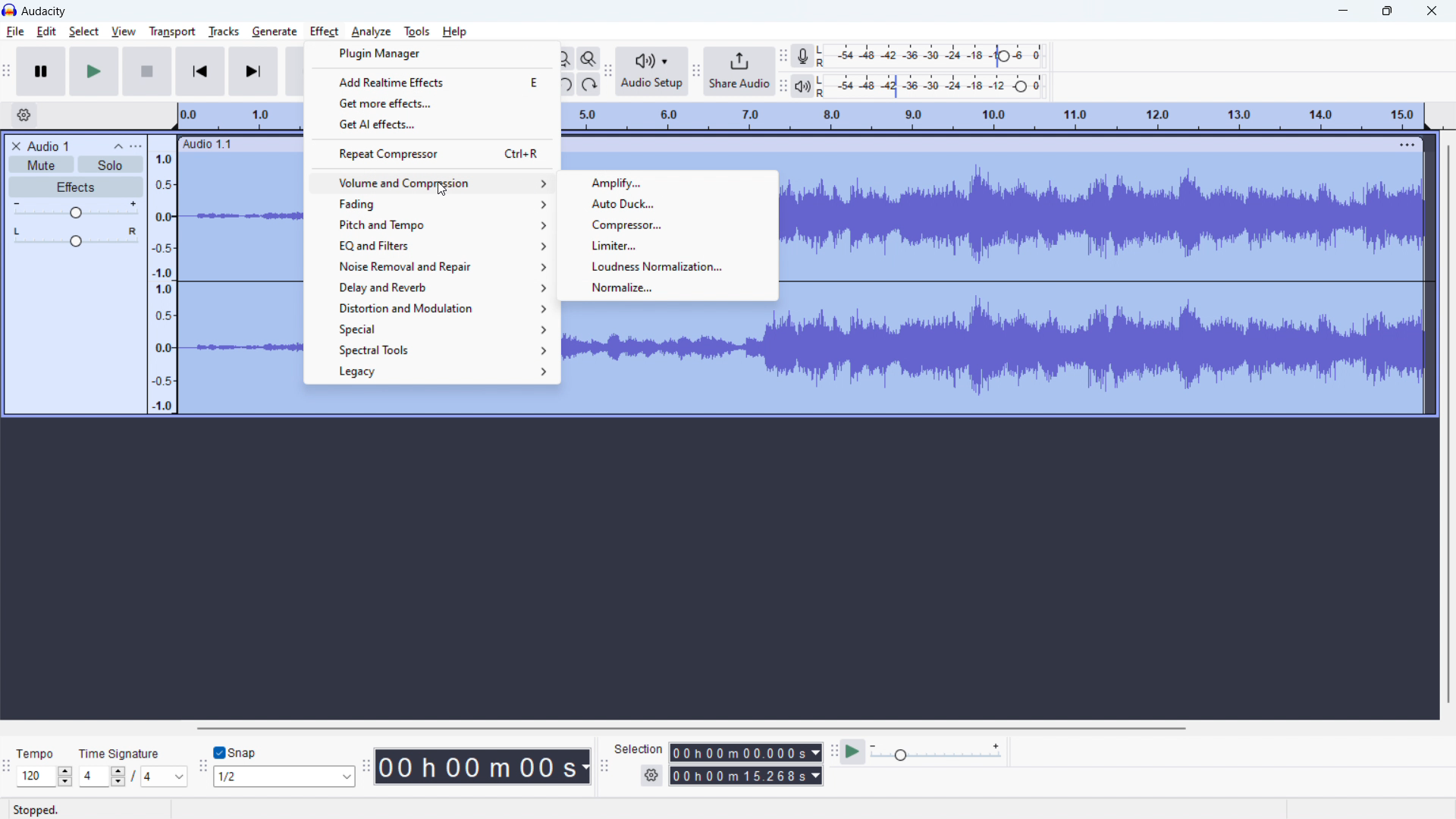 This screenshot has width=1456, height=819. What do you see at coordinates (285, 776) in the screenshot?
I see `1/2 (select snap)` at bounding box center [285, 776].